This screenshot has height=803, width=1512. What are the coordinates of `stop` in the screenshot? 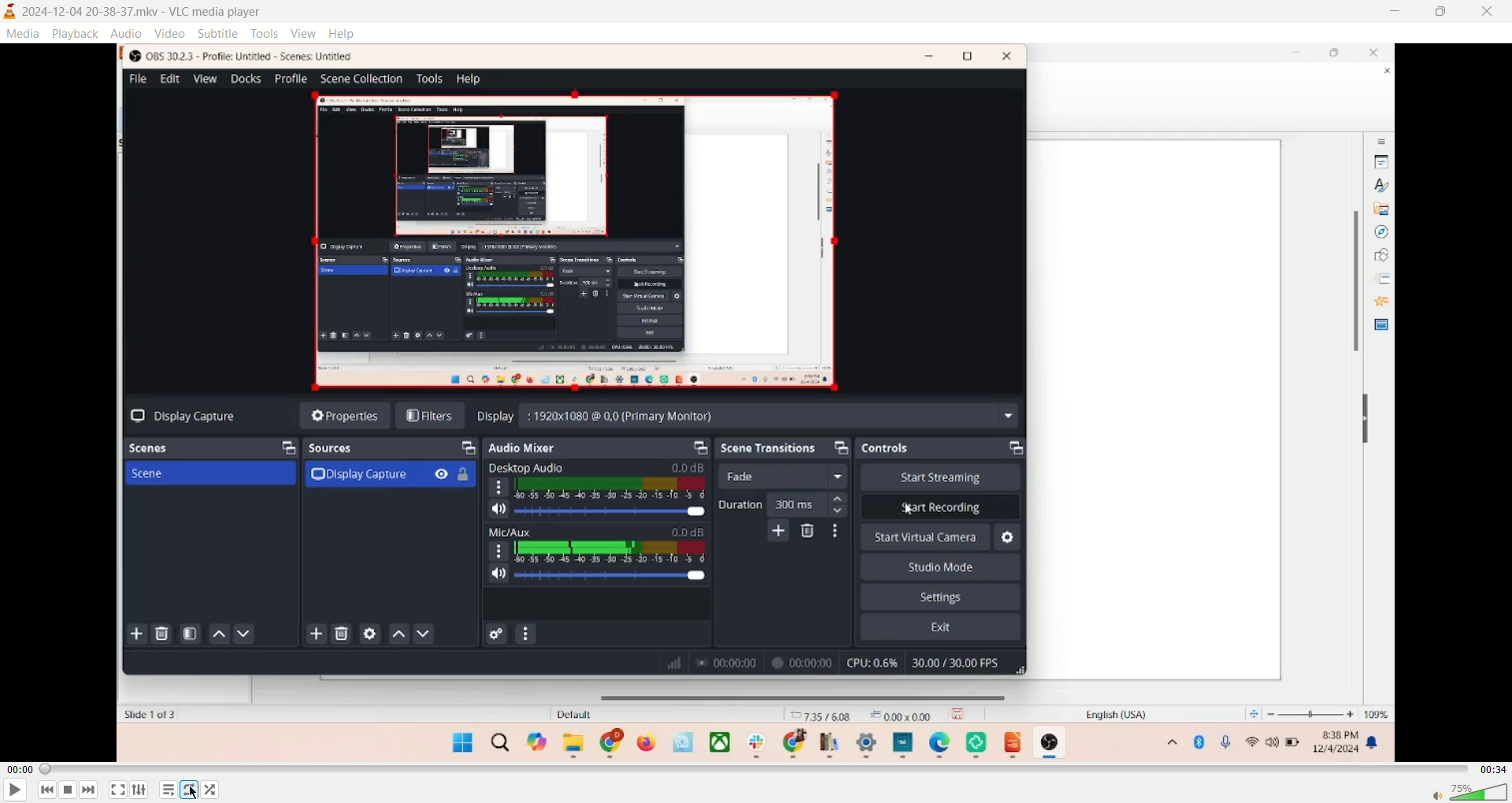 It's located at (70, 791).